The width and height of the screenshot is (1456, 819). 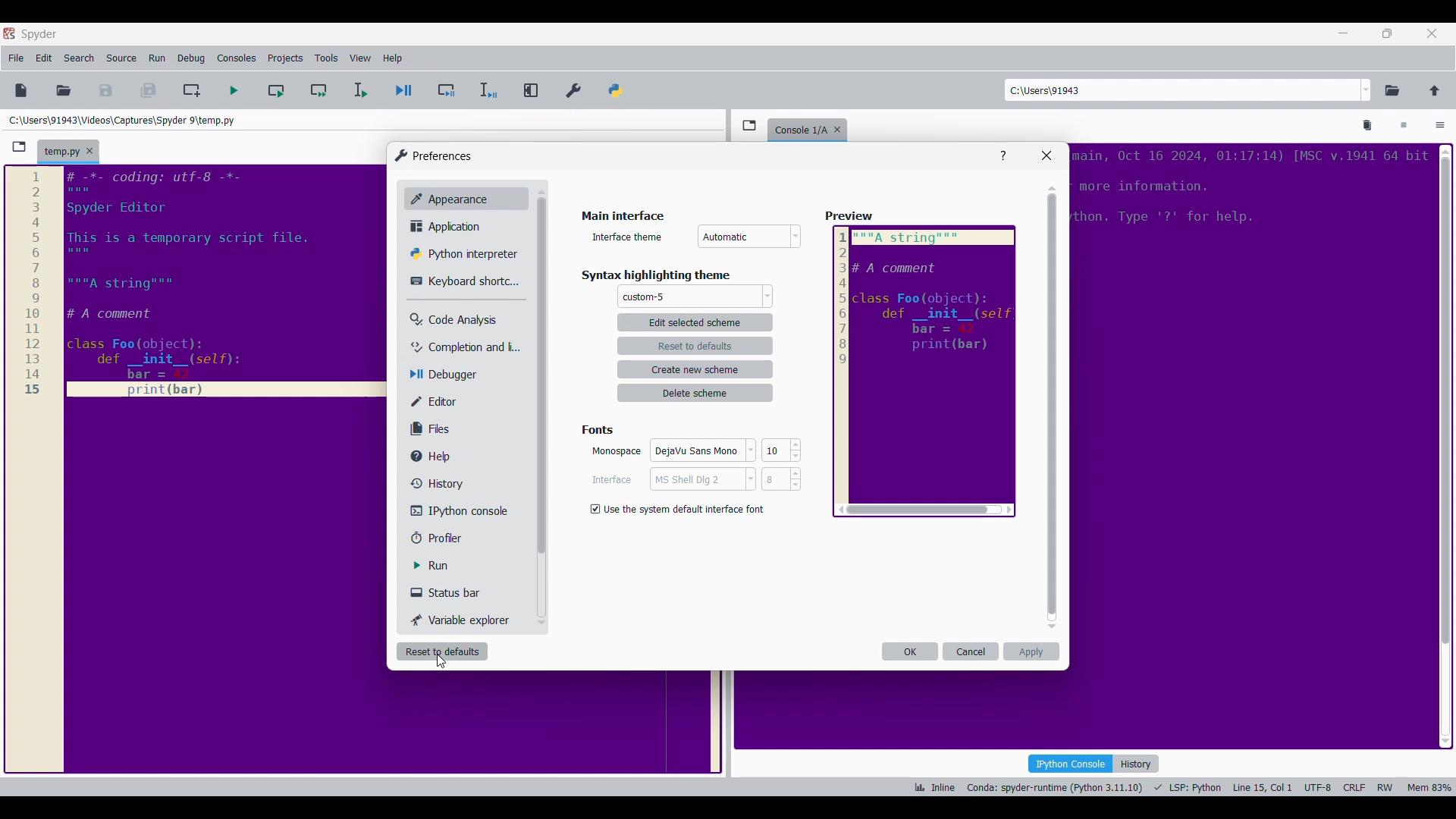 I want to click on Run file, so click(x=234, y=90).